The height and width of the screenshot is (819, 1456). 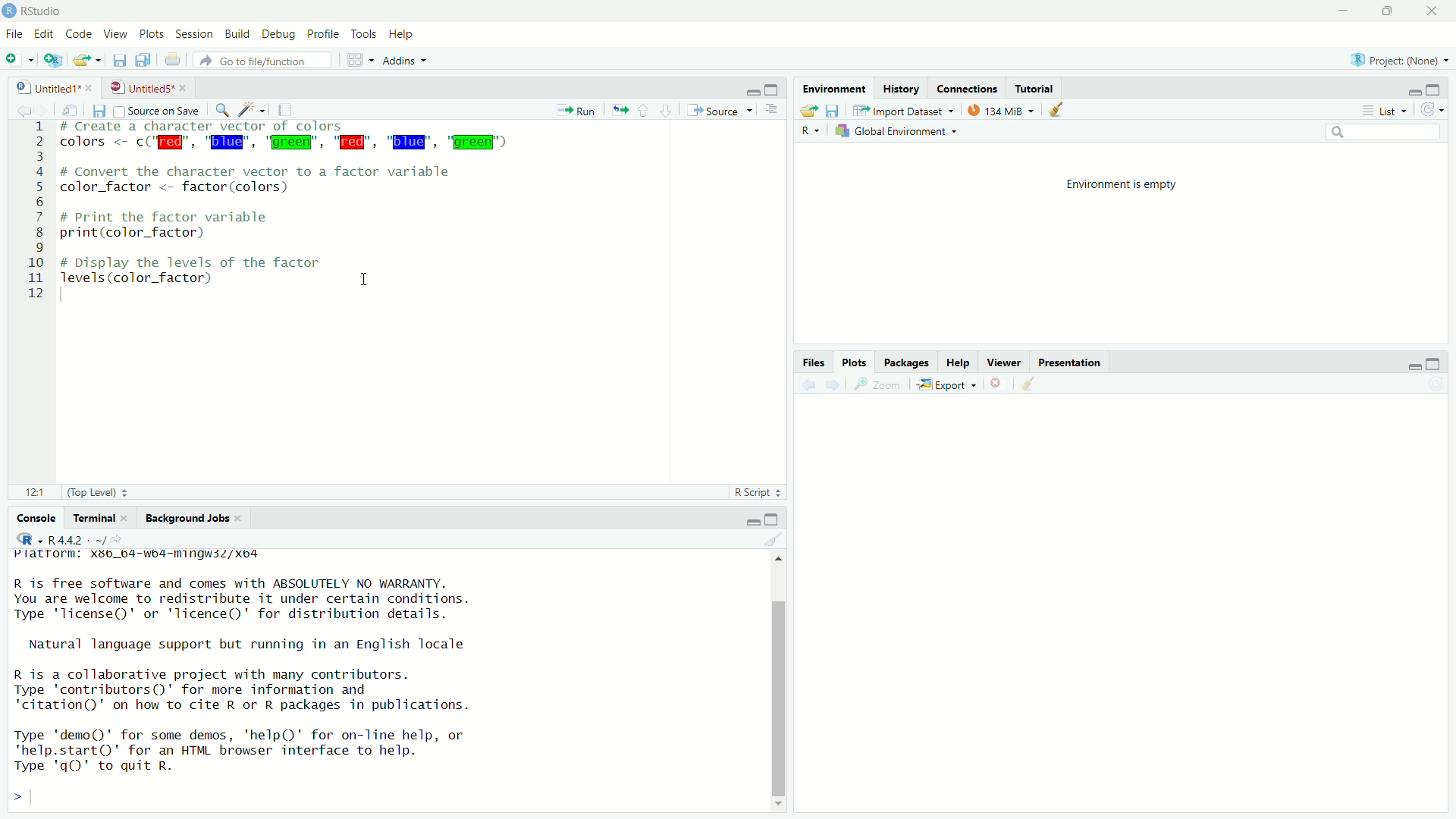 I want to click on move top, so click(x=778, y=560).